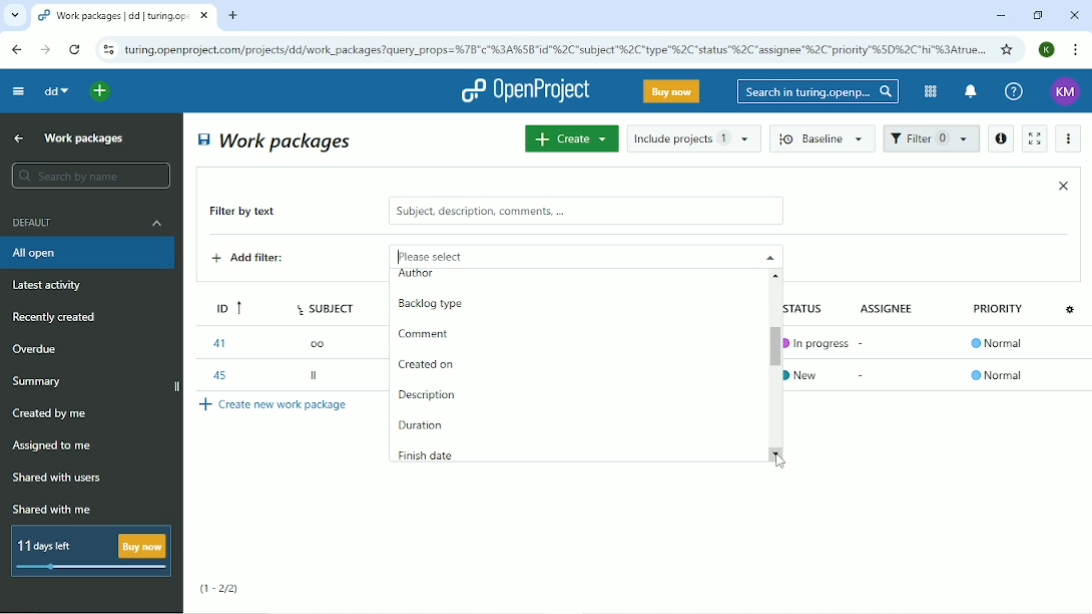 Image resolution: width=1092 pixels, height=614 pixels. Describe the element at coordinates (37, 350) in the screenshot. I see `Overdue` at that location.